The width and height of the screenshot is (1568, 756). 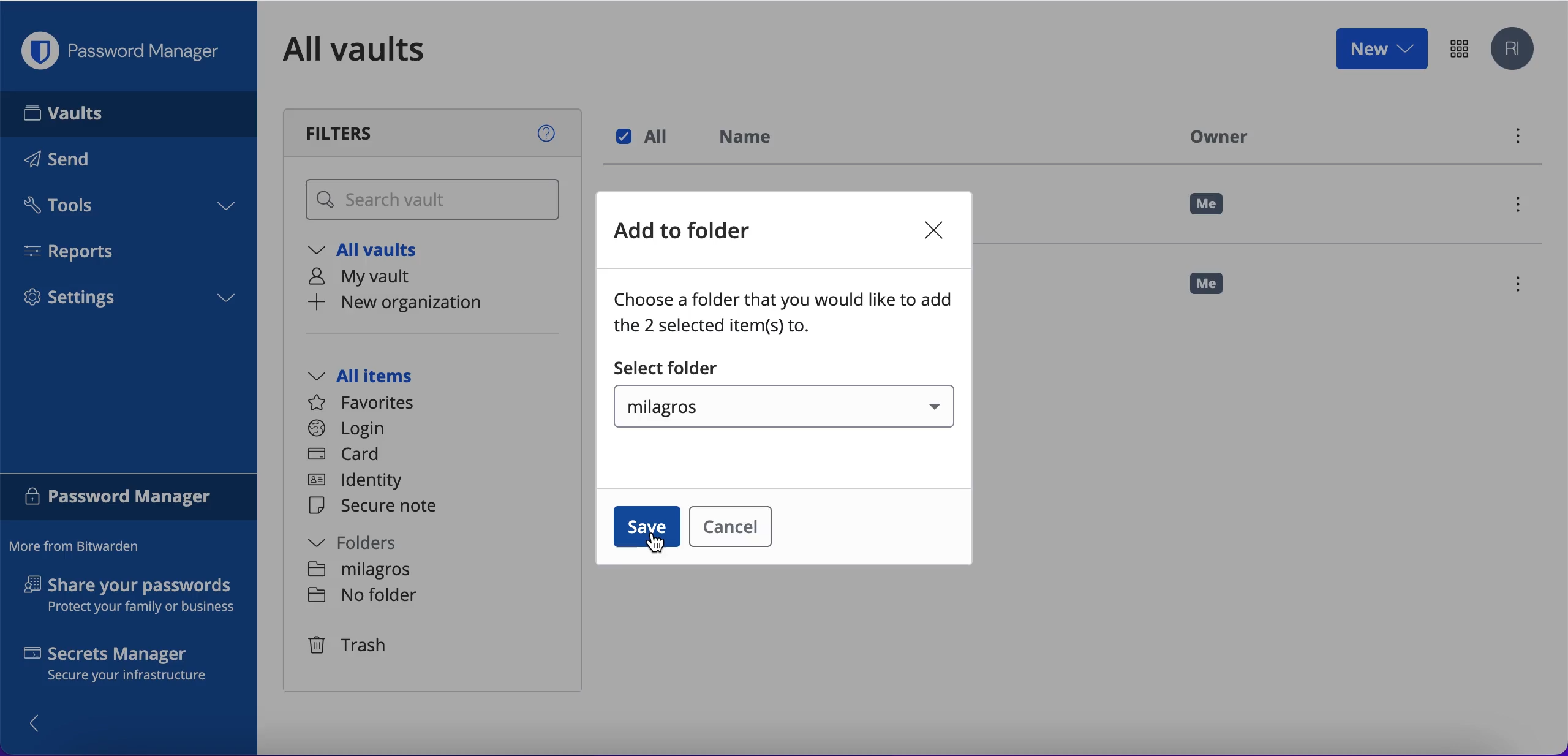 What do you see at coordinates (41, 722) in the screenshot?
I see `show/hide panel` at bounding box center [41, 722].